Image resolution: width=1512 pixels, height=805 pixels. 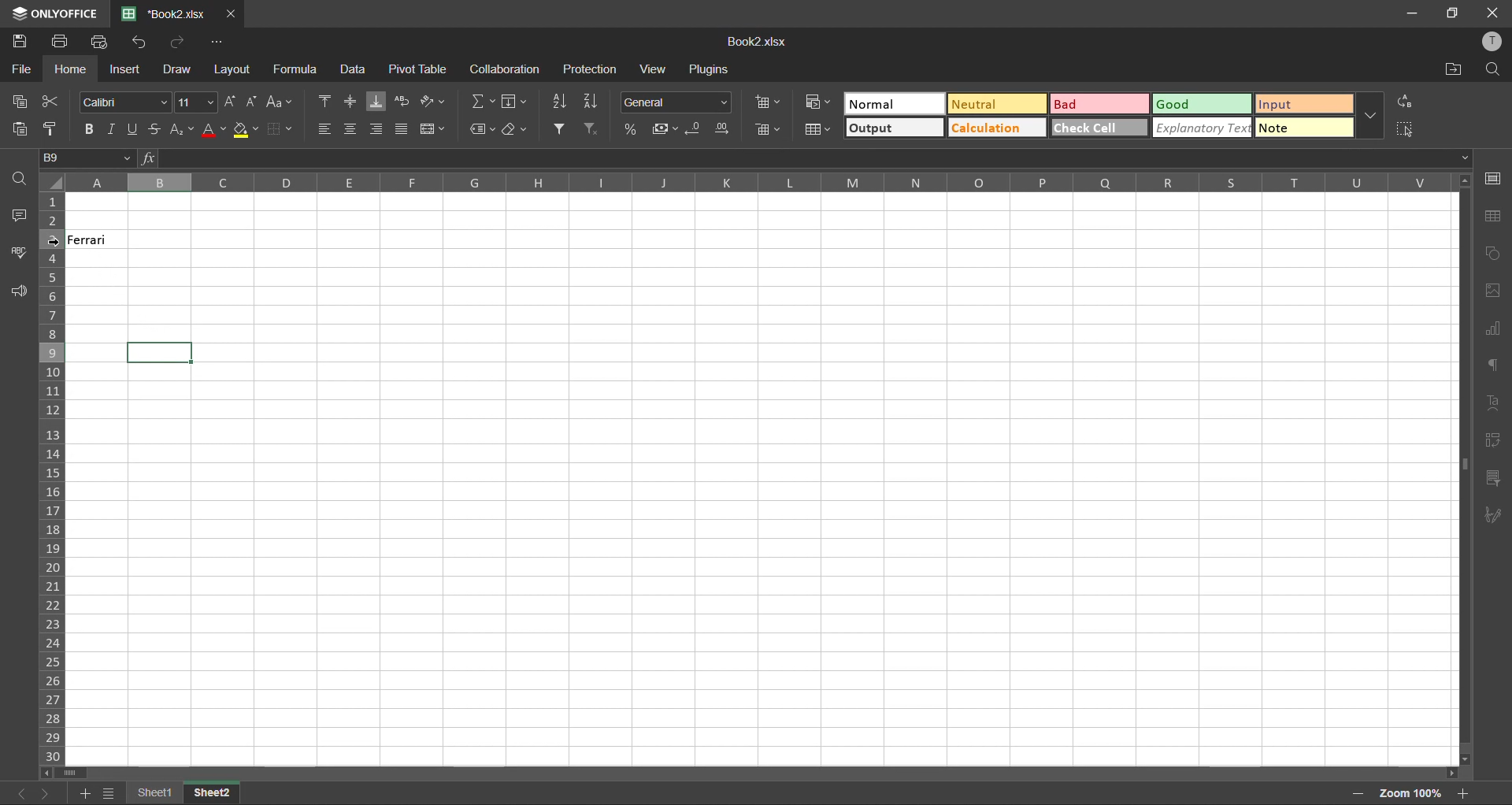 I want to click on pivot table, so click(x=423, y=69).